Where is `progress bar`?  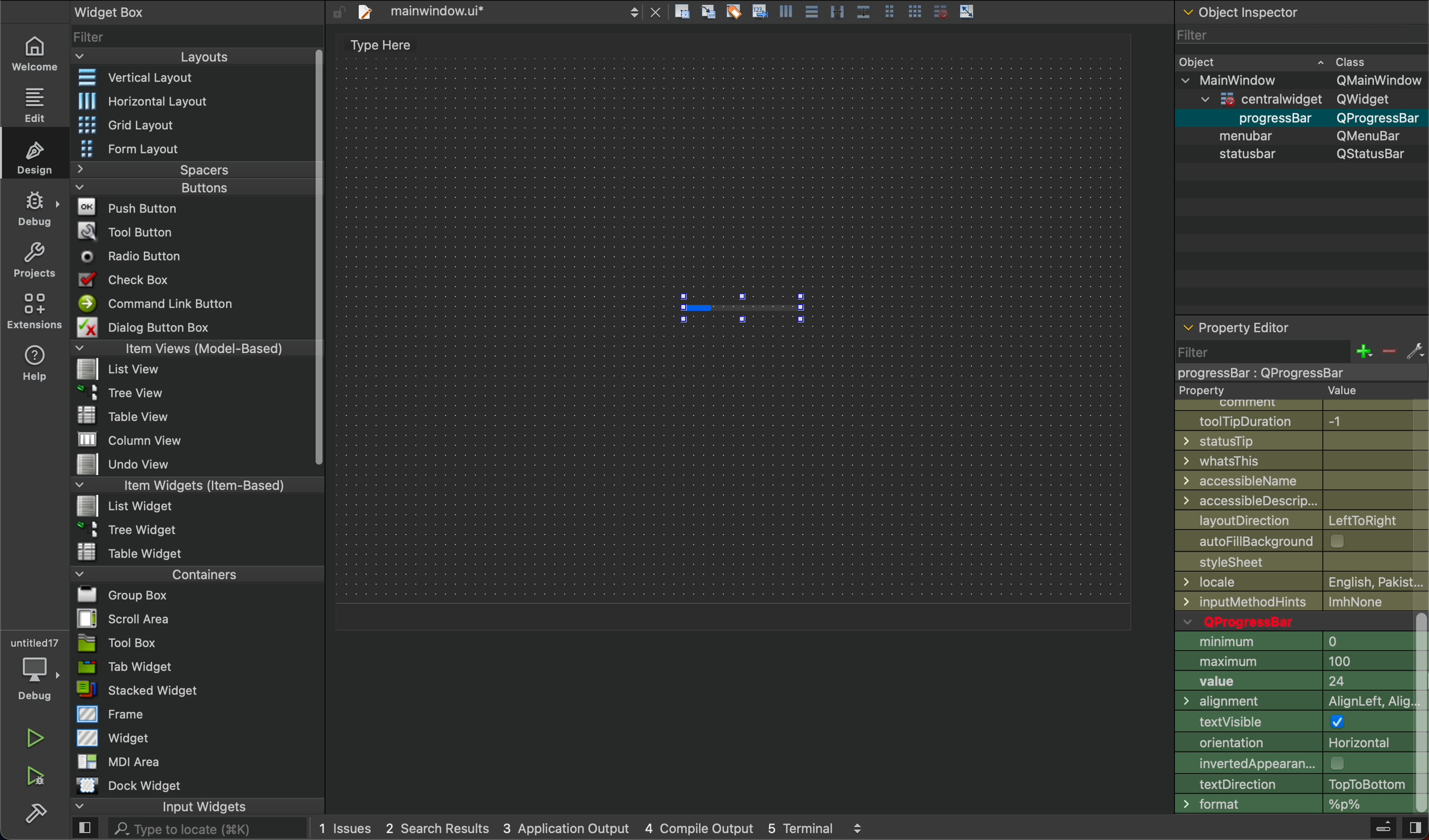
progress bar is located at coordinates (742, 308).